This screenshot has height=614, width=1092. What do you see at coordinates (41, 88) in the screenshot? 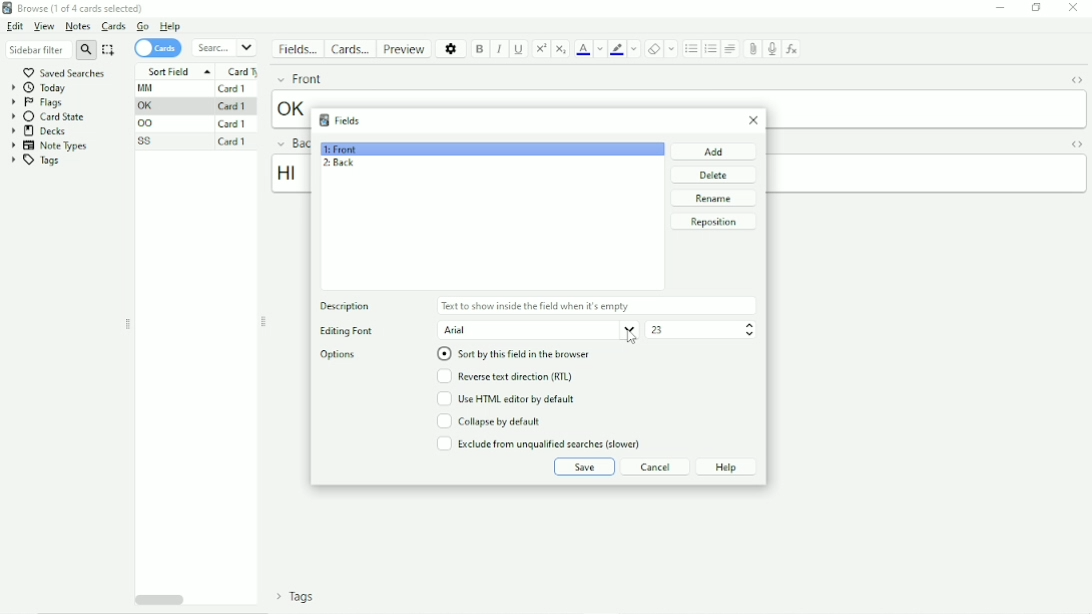
I see `Today` at bounding box center [41, 88].